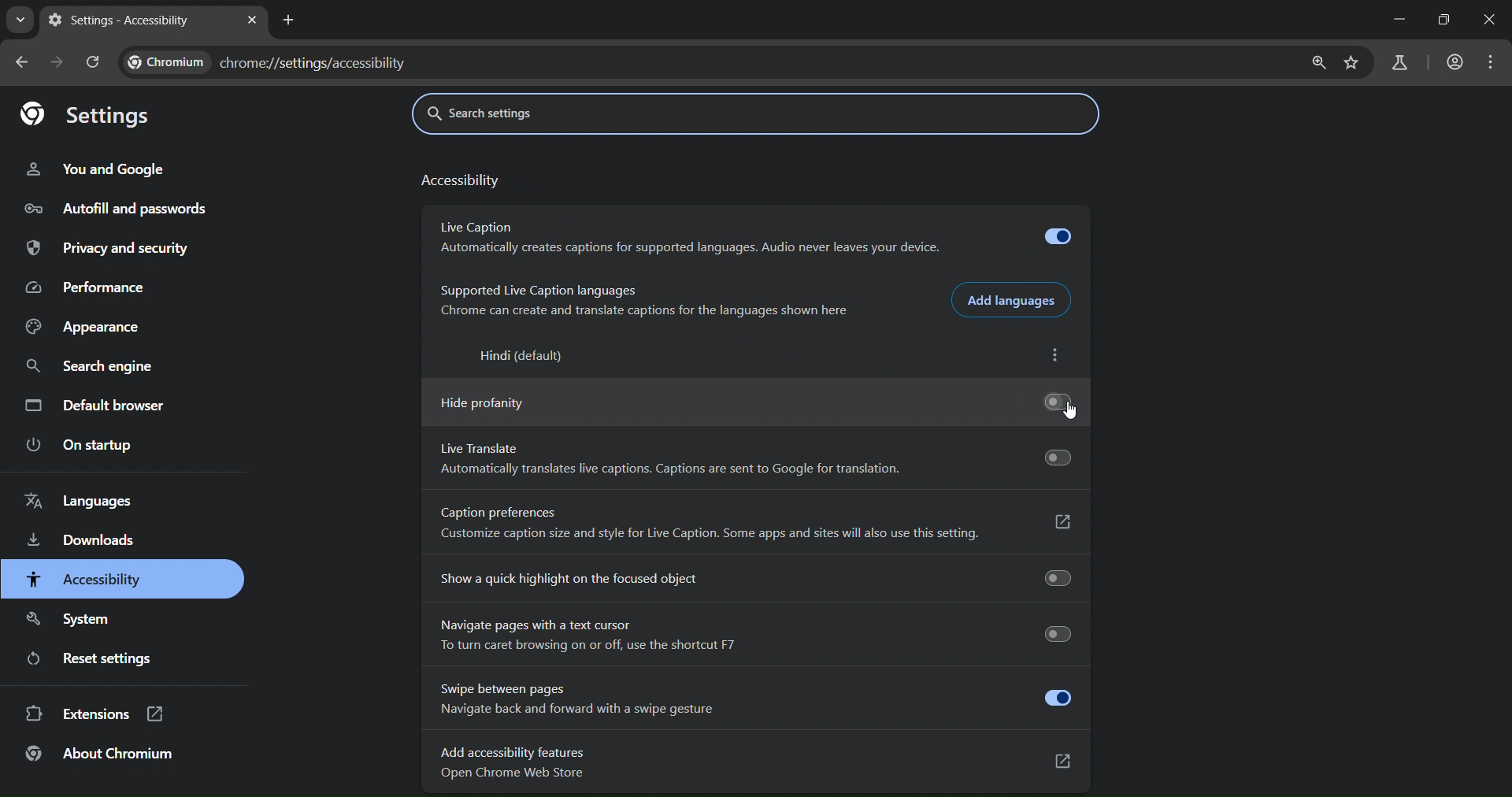 The width and height of the screenshot is (1512, 797). What do you see at coordinates (117, 206) in the screenshot?
I see `autofill and passwords` at bounding box center [117, 206].